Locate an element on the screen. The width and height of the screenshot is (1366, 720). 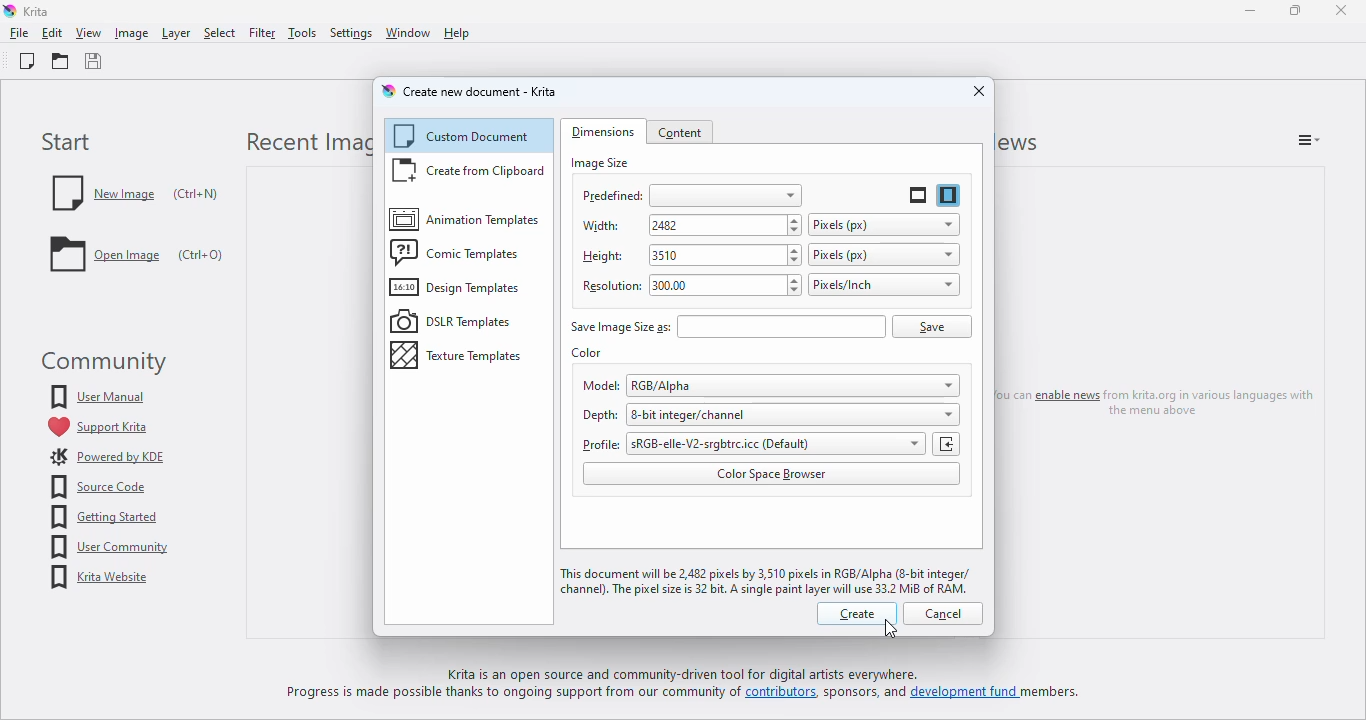
create from clipboard is located at coordinates (468, 171).